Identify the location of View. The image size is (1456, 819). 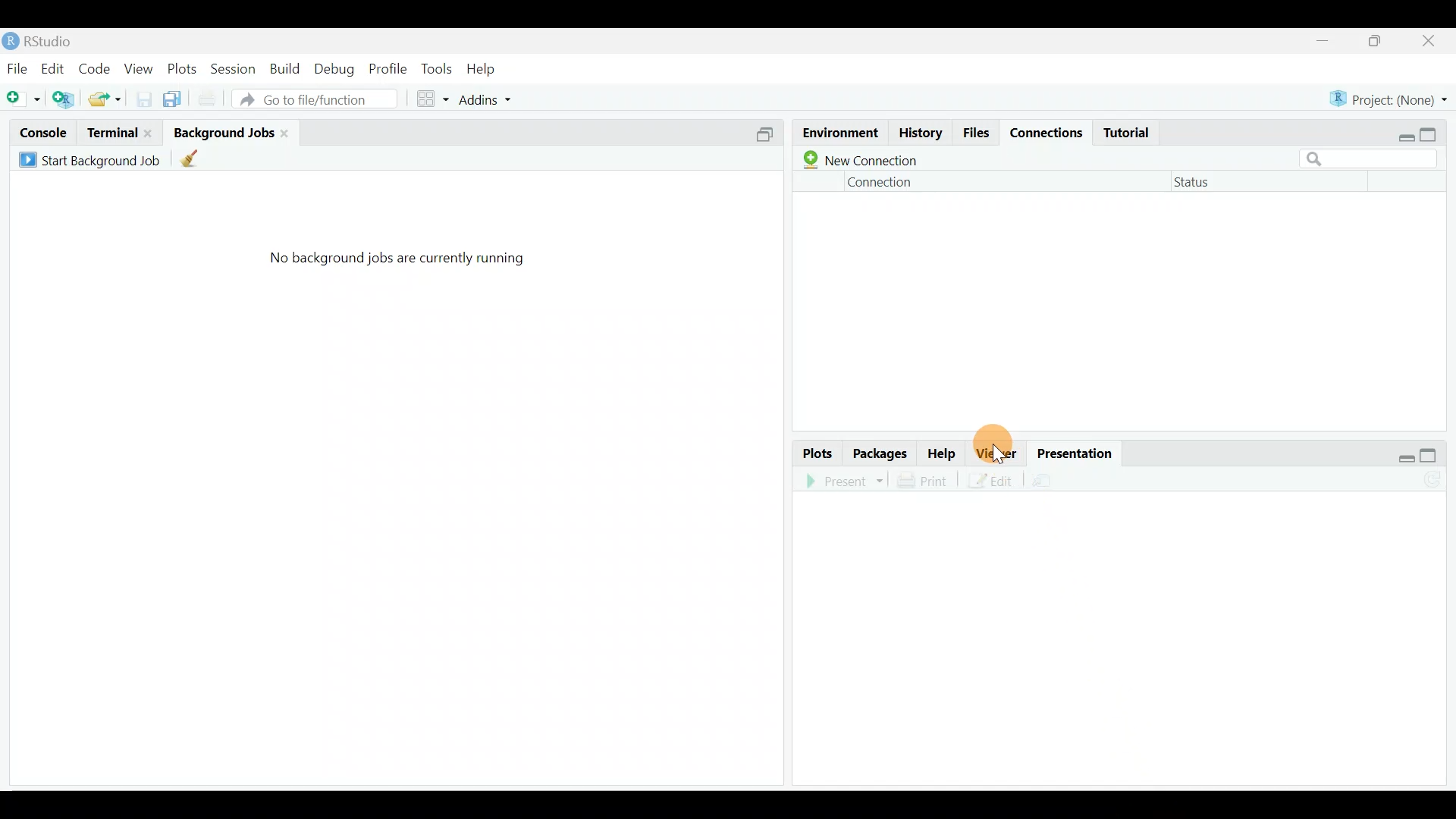
(138, 69).